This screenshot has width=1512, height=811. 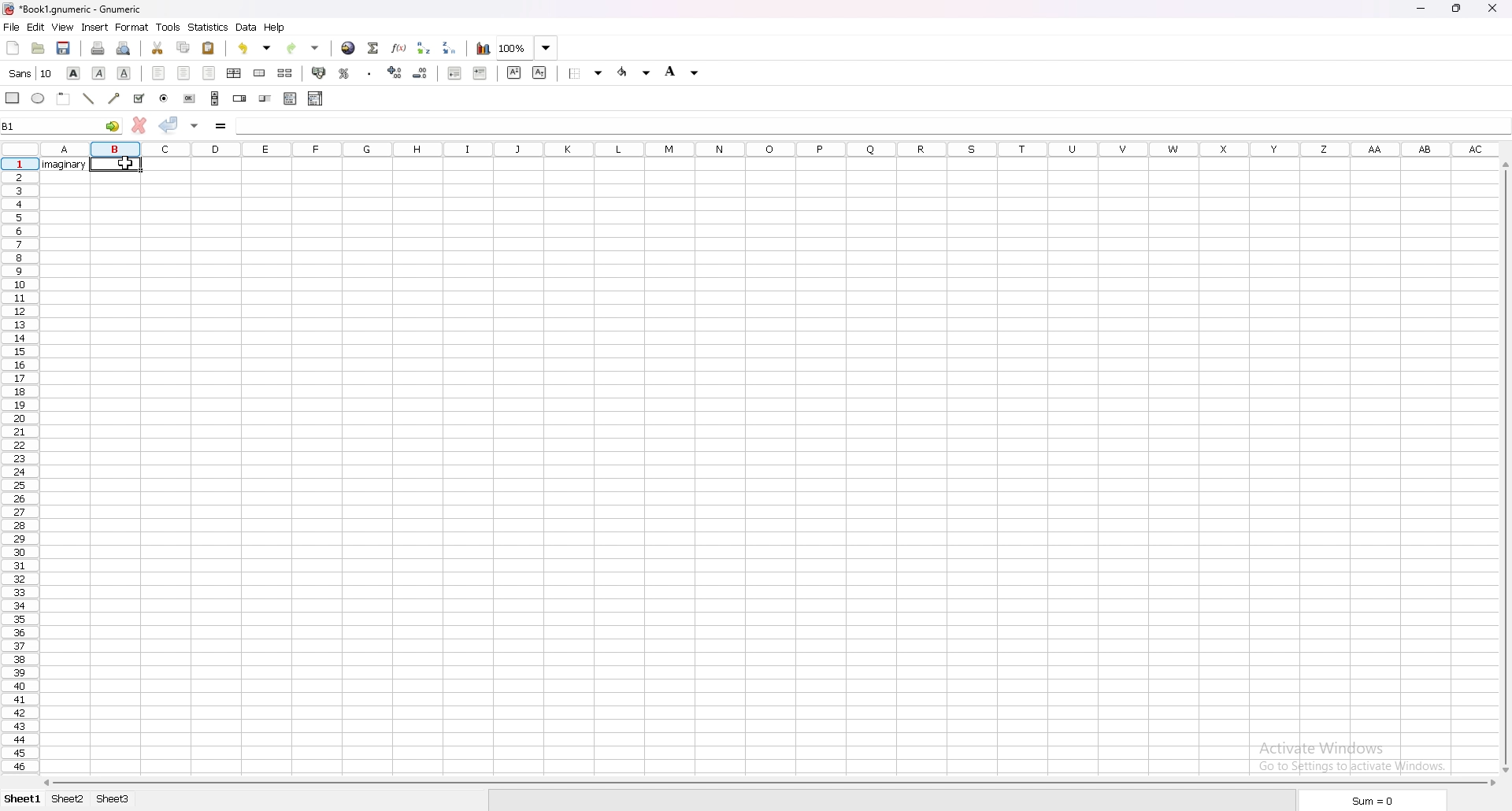 I want to click on summation, so click(x=373, y=47).